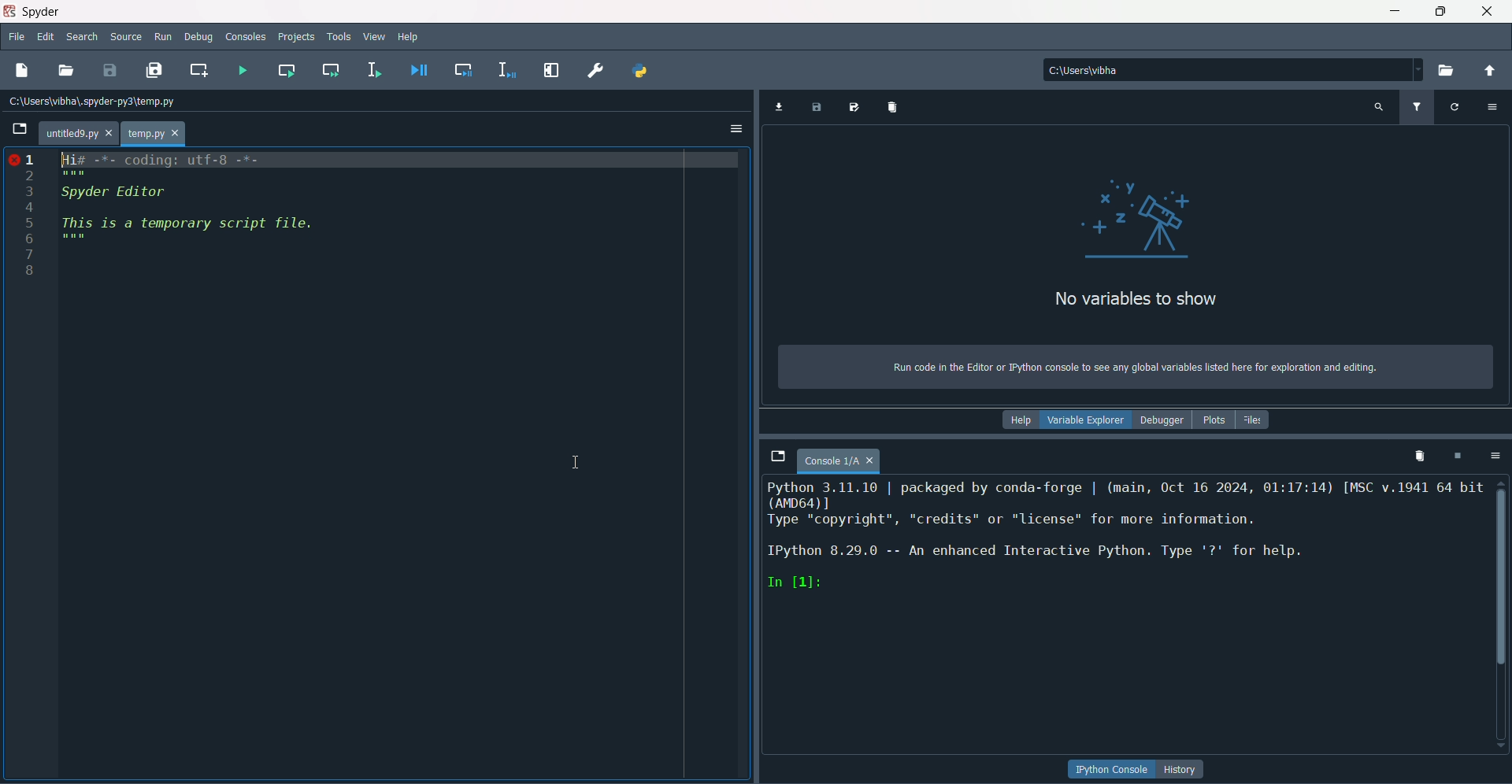  What do you see at coordinates (1438, 11) in the screenshot?
I see `minimize/maximize` at bounding box center [1438, 11].